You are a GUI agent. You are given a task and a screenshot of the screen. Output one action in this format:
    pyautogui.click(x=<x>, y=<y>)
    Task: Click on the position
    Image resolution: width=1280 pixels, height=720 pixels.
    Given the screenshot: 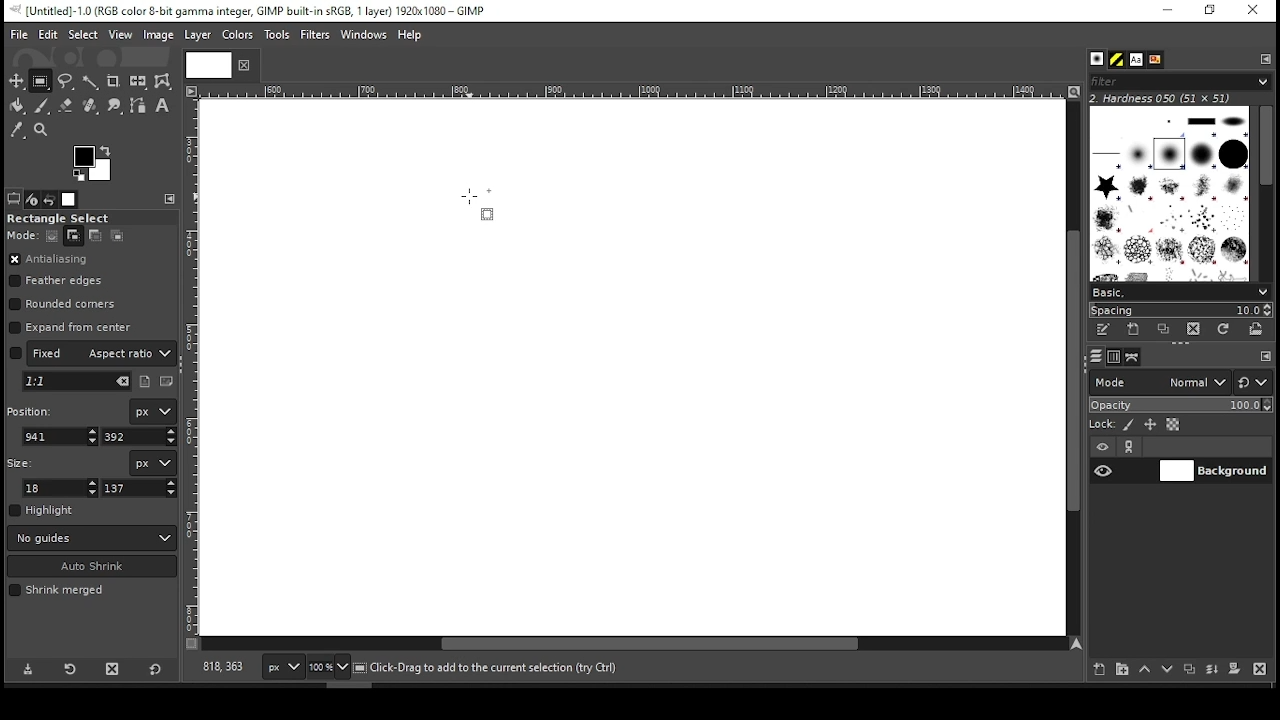 What is the action you would take?
    pyautogui.click(x=33, y=409)
    